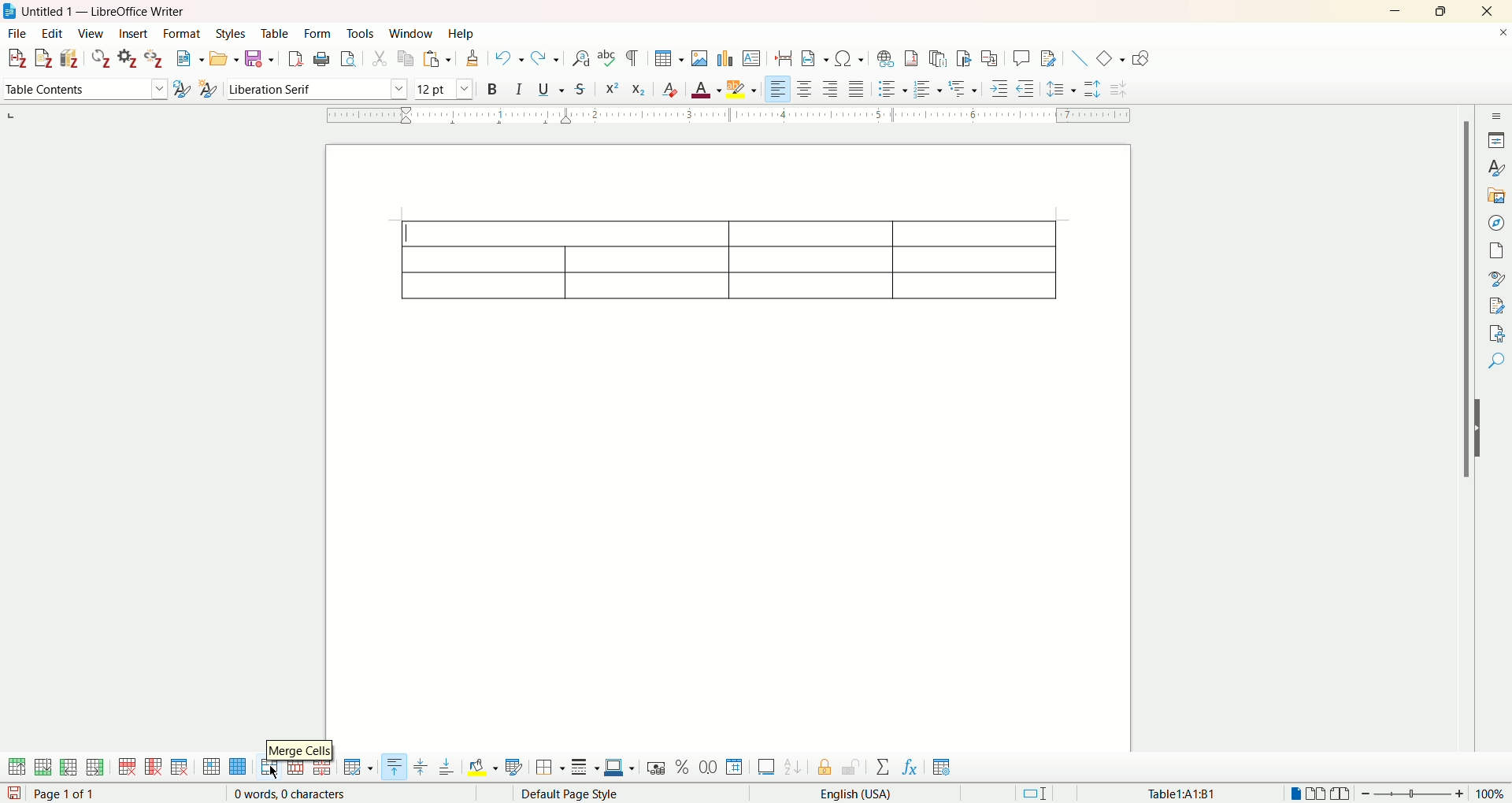  What do you see at coordinates (1484, 10) in the screenshot?
I see `close` at bounding box center [1484, 10].